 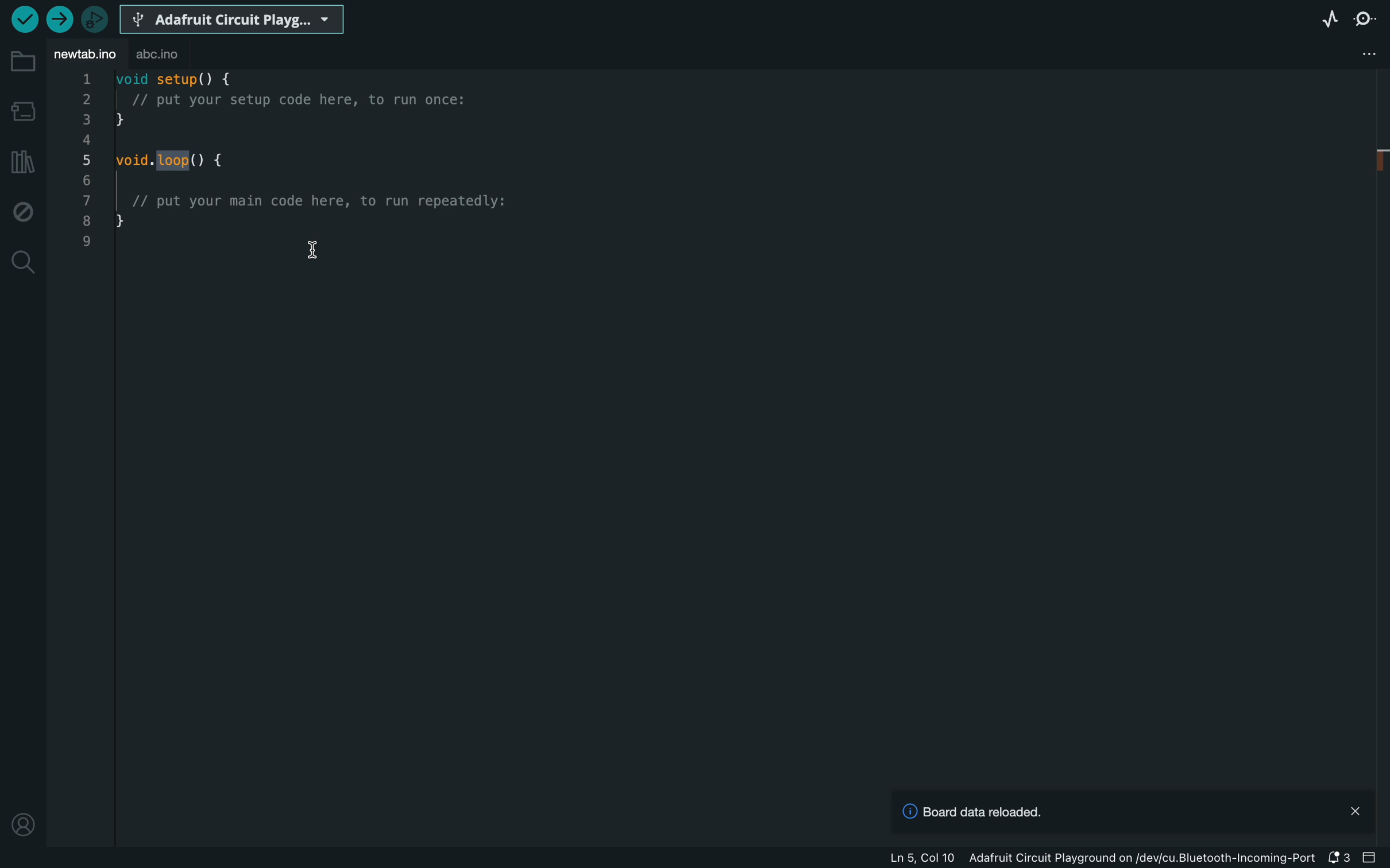 I want to click on upload, so click(x=59, y=18).